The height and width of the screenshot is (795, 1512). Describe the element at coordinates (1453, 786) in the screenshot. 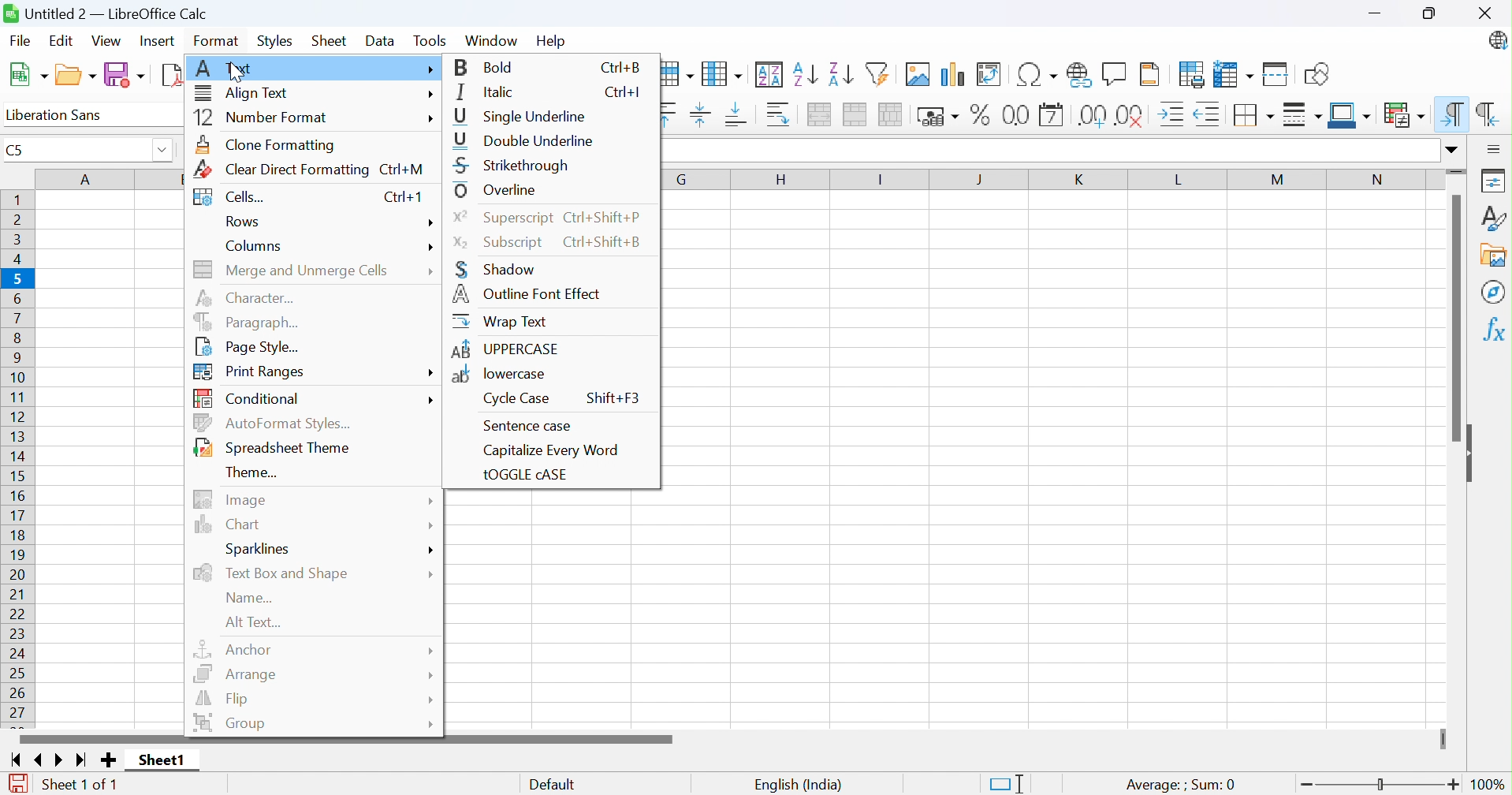

I see `Zoom in` at that location.